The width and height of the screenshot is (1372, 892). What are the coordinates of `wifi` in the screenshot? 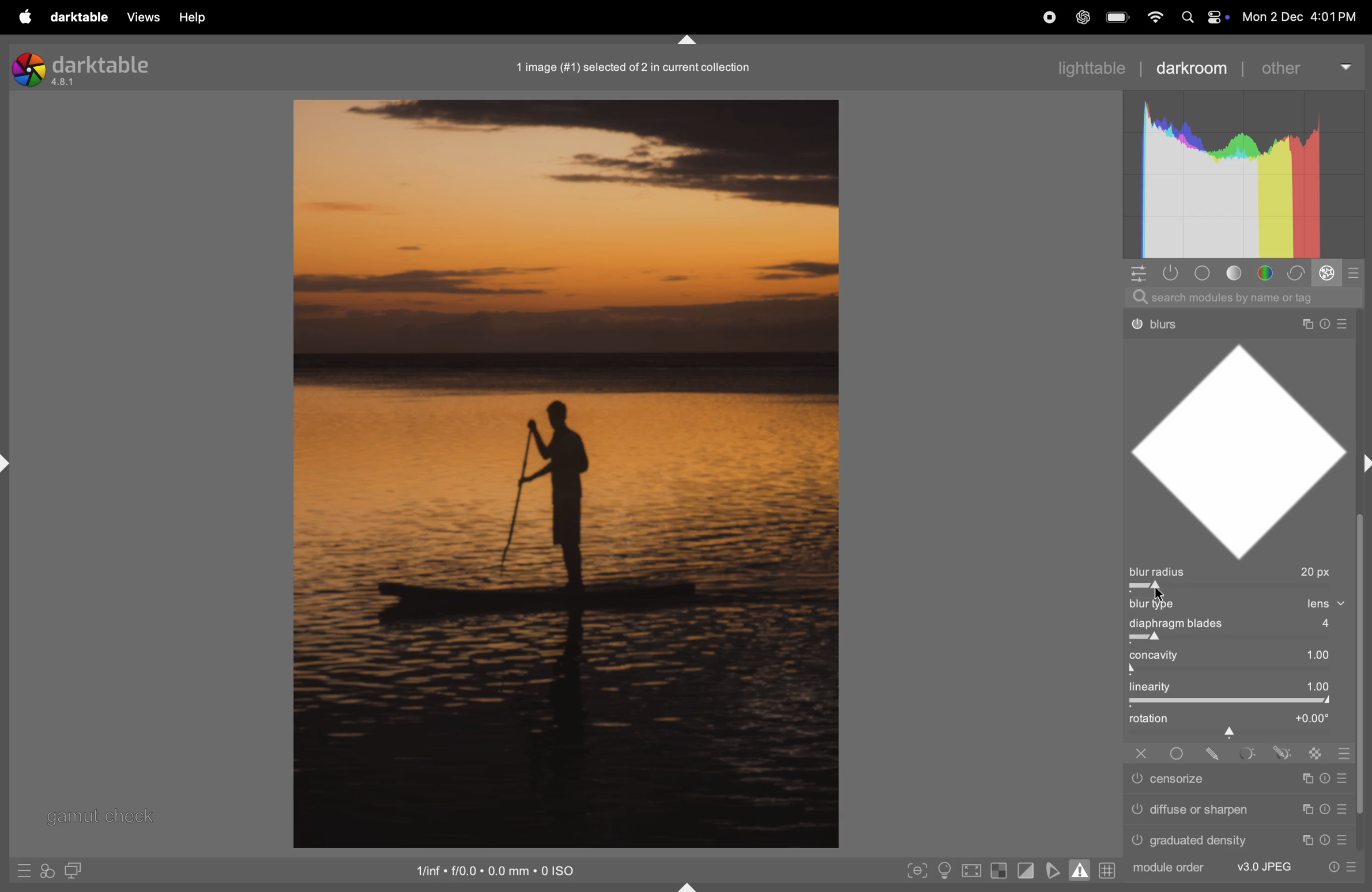 It's located at (1155, 17).